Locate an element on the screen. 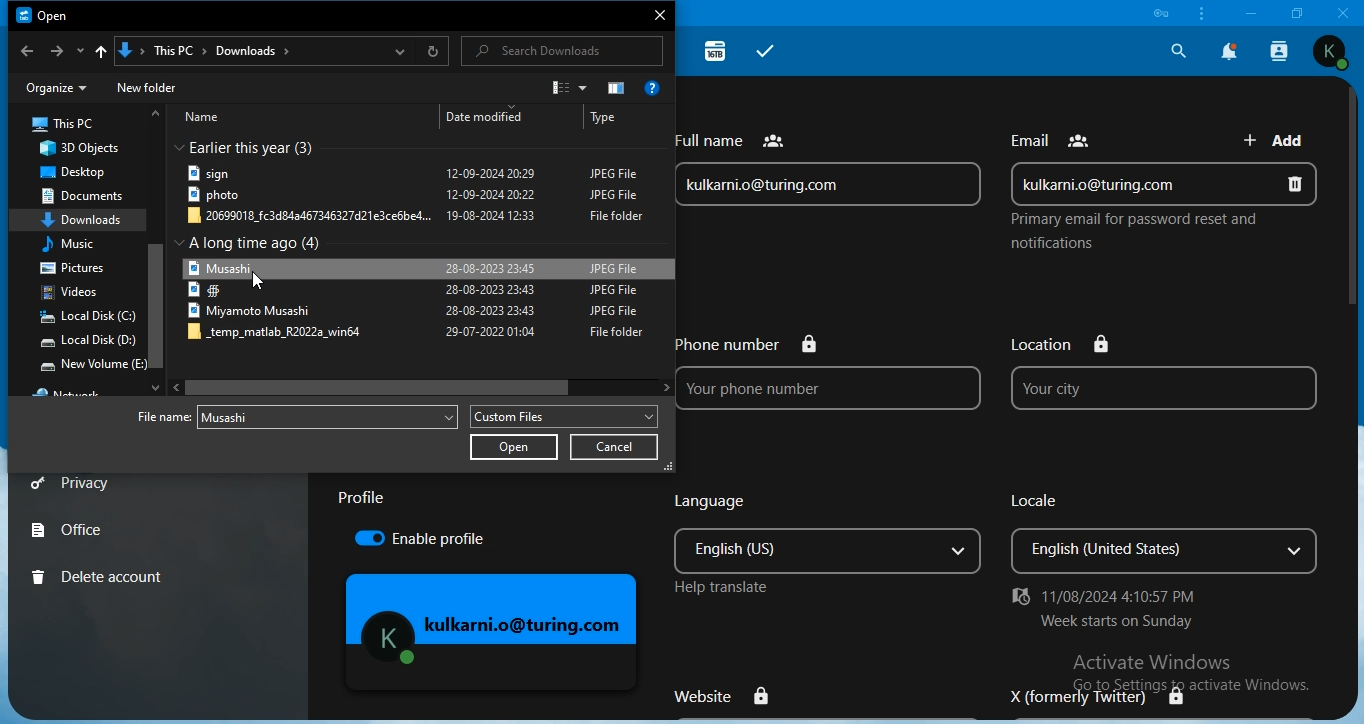  text is located at coordinates (1055, 135).